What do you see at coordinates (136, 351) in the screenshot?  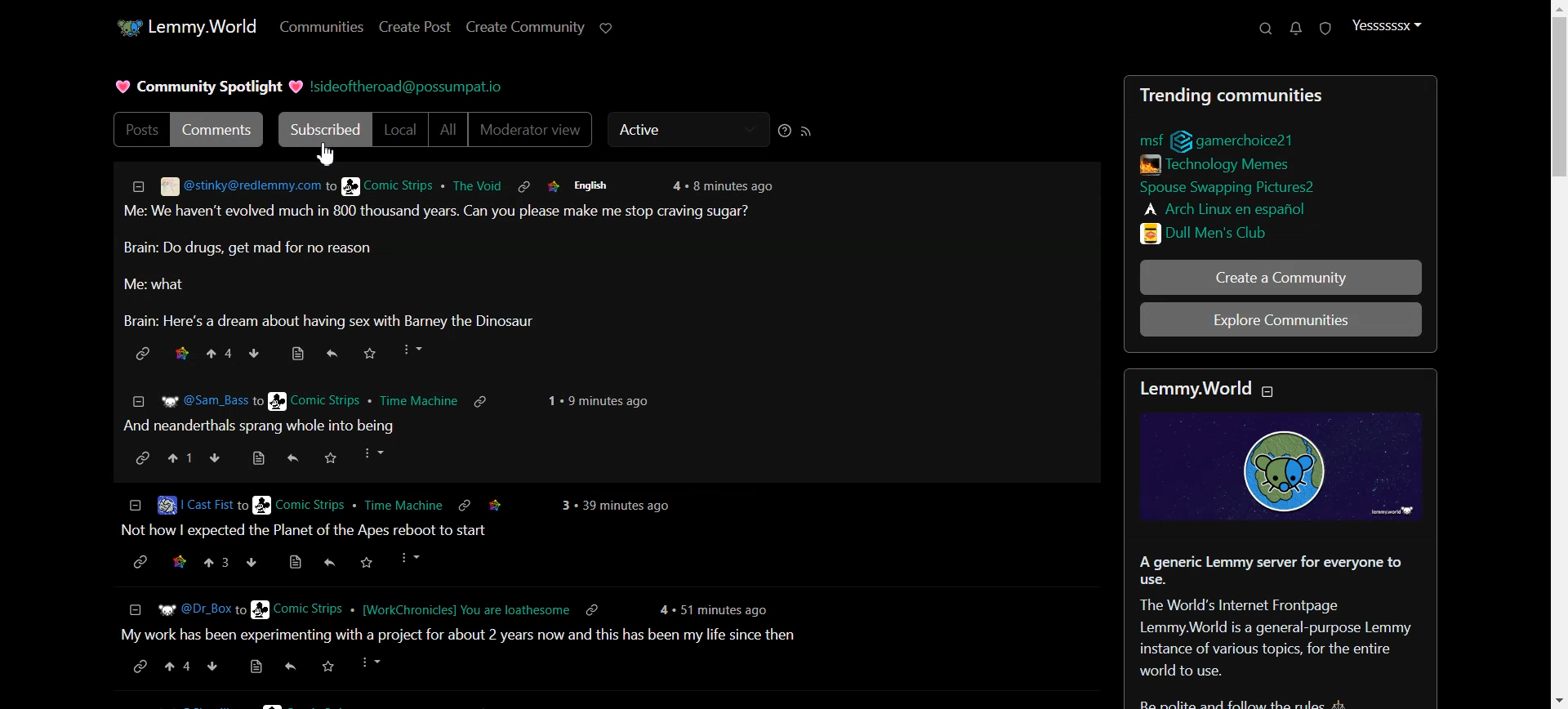 I see `link` at bounding box center [136, 351].